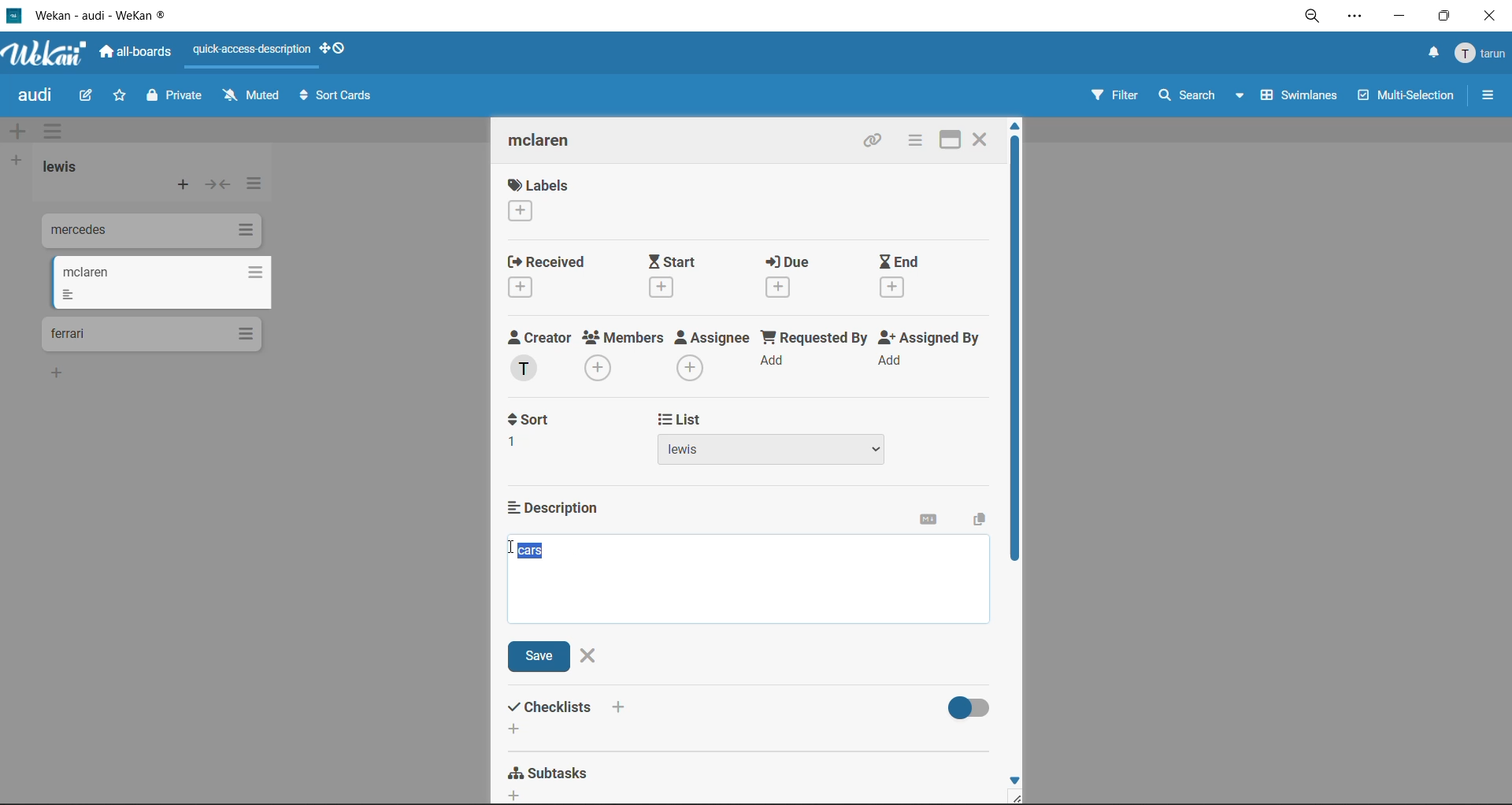 This screenshot has width=1512, height=805. I want to click on end, so click(915, 278).